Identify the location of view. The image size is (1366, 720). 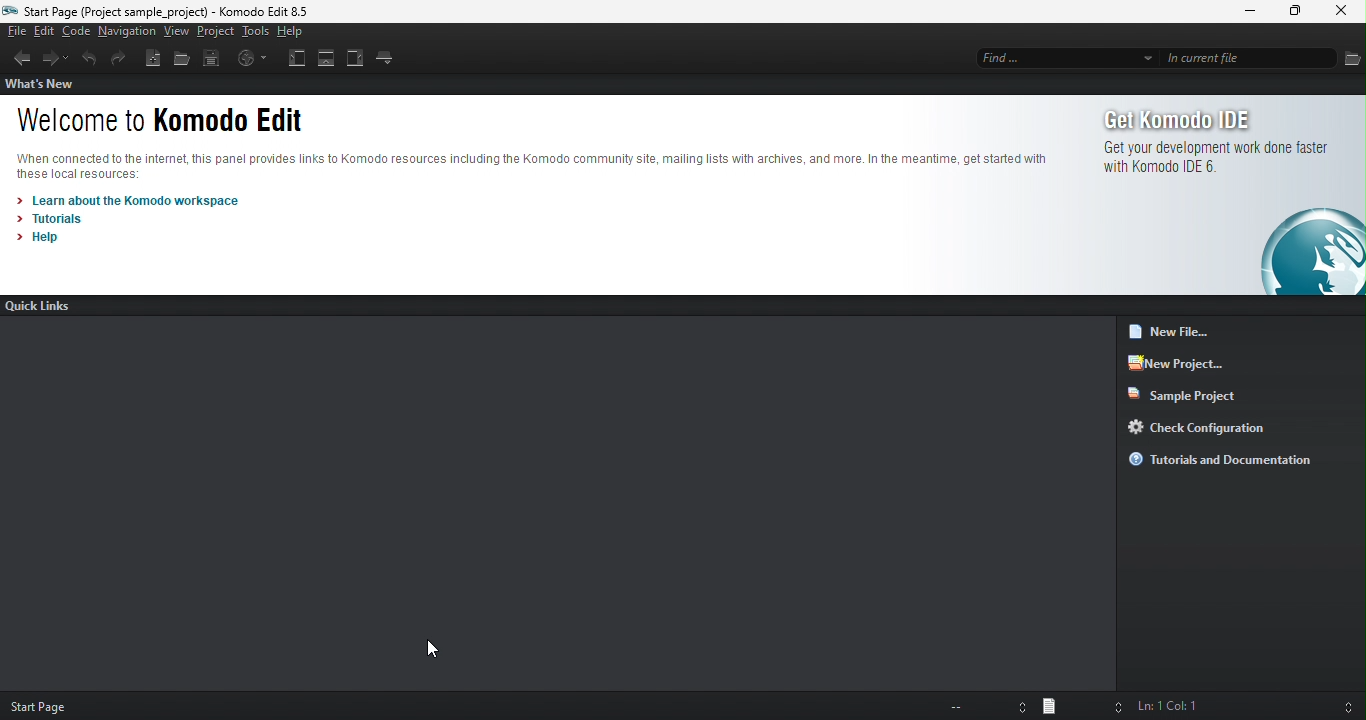
(177, 31).